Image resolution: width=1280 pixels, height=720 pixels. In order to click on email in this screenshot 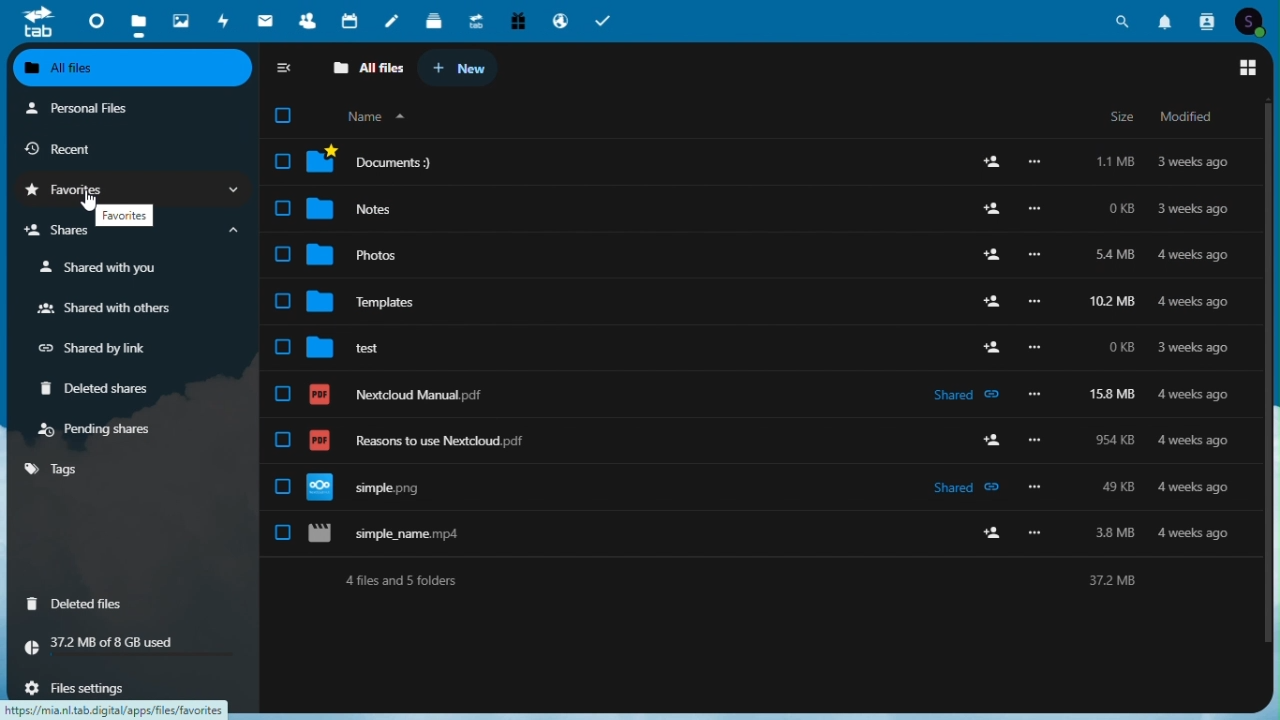, I will do `click(266, 18)`.